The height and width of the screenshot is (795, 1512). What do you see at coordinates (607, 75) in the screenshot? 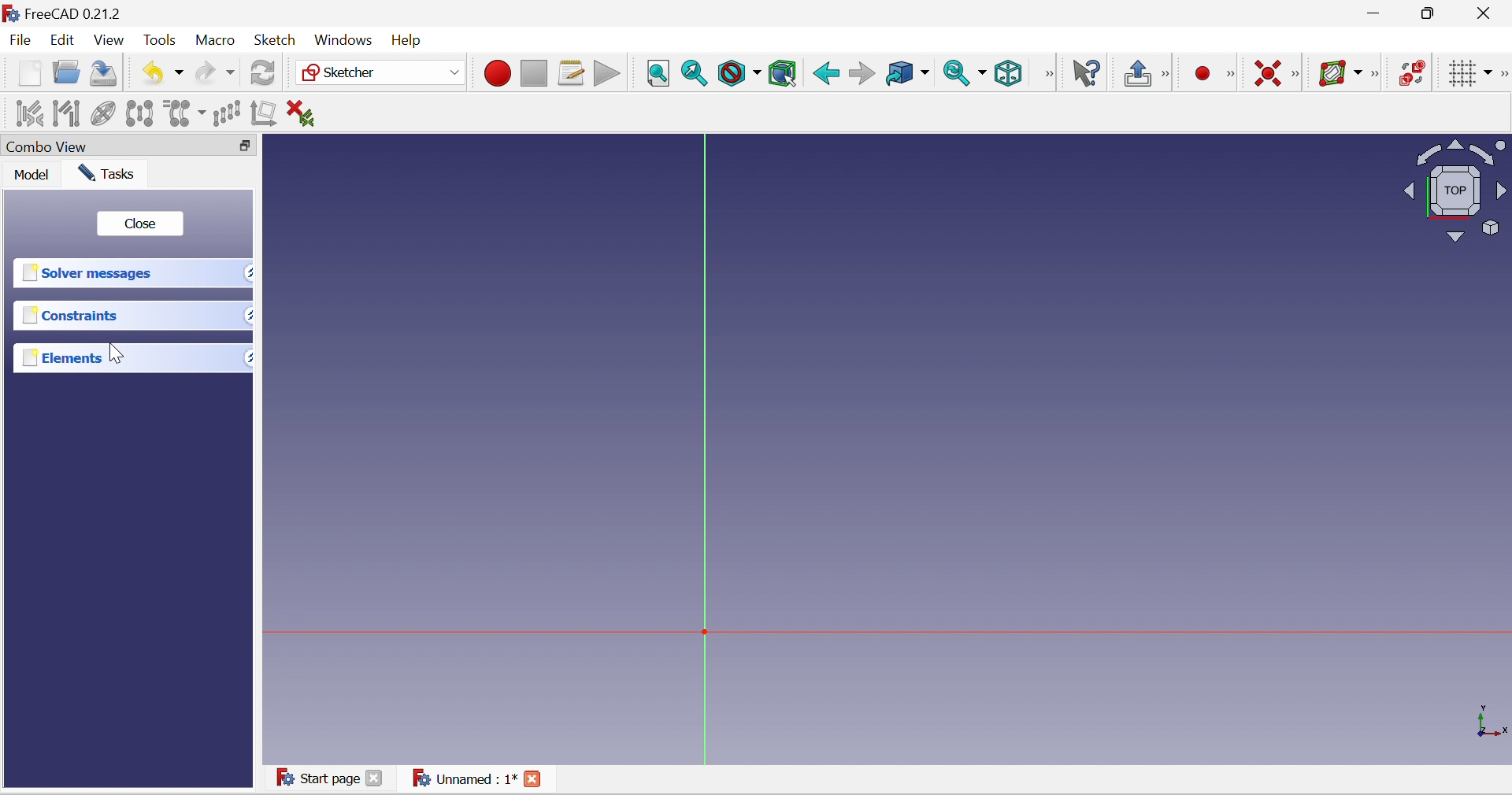
I see `Execute macro` at bounding box center [607, 75].